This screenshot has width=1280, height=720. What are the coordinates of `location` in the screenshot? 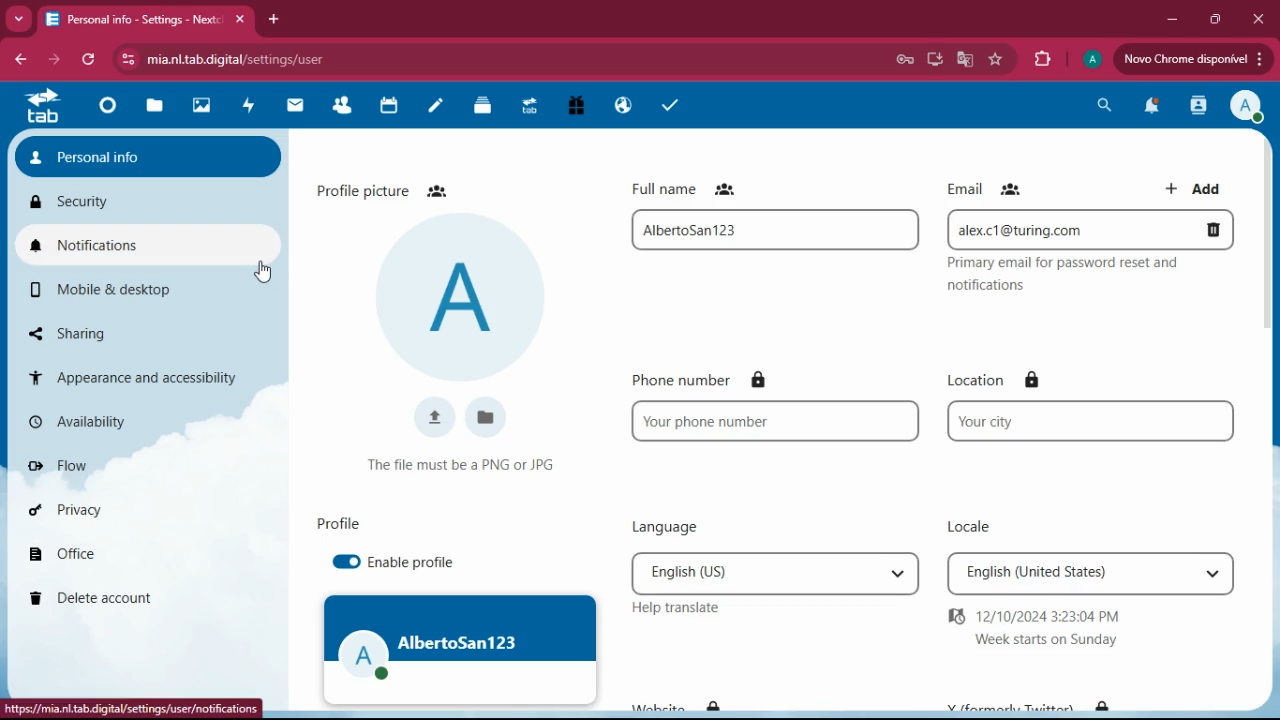 It's located at (998, 379).